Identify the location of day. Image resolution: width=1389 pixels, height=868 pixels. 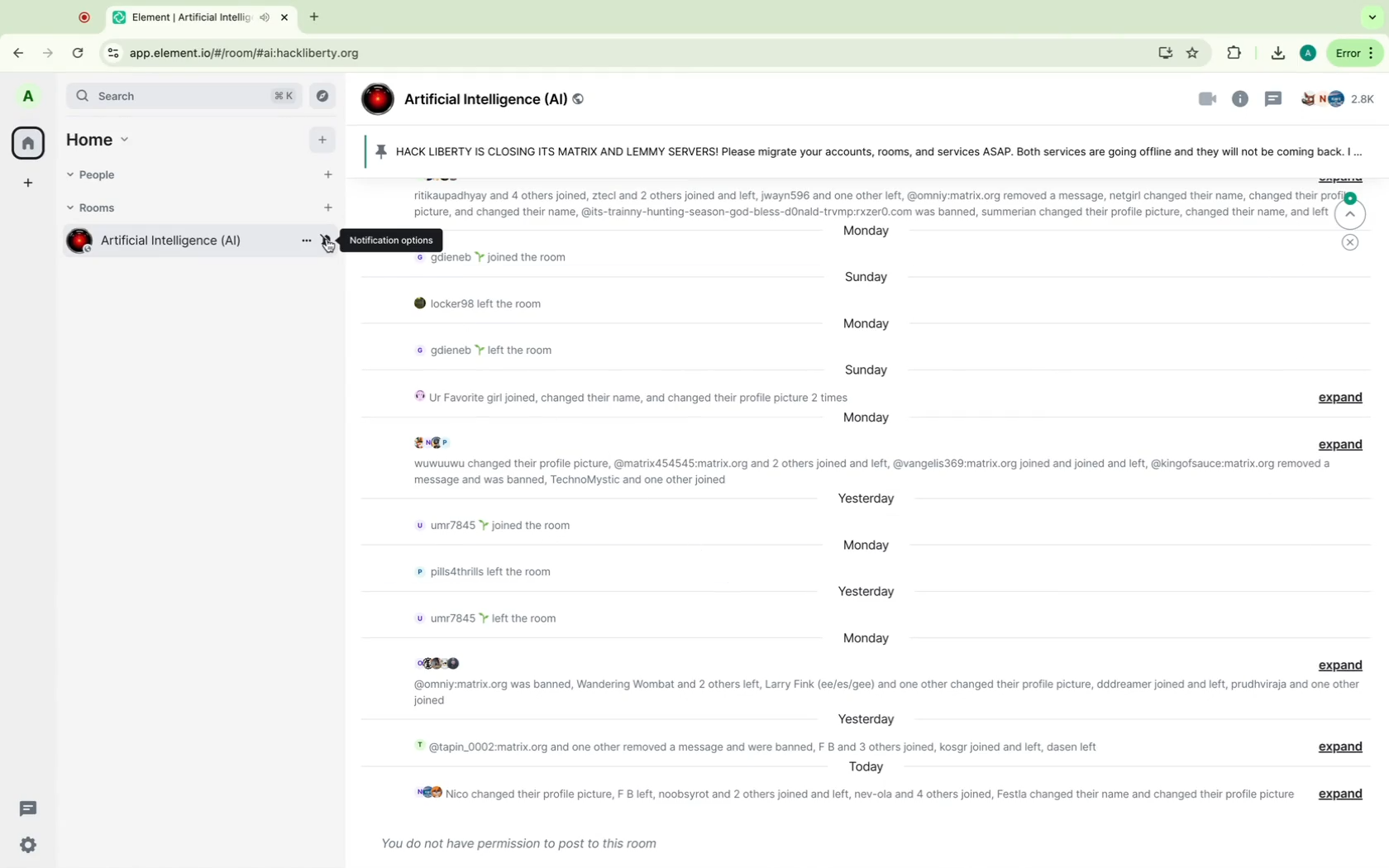
(868, 498).